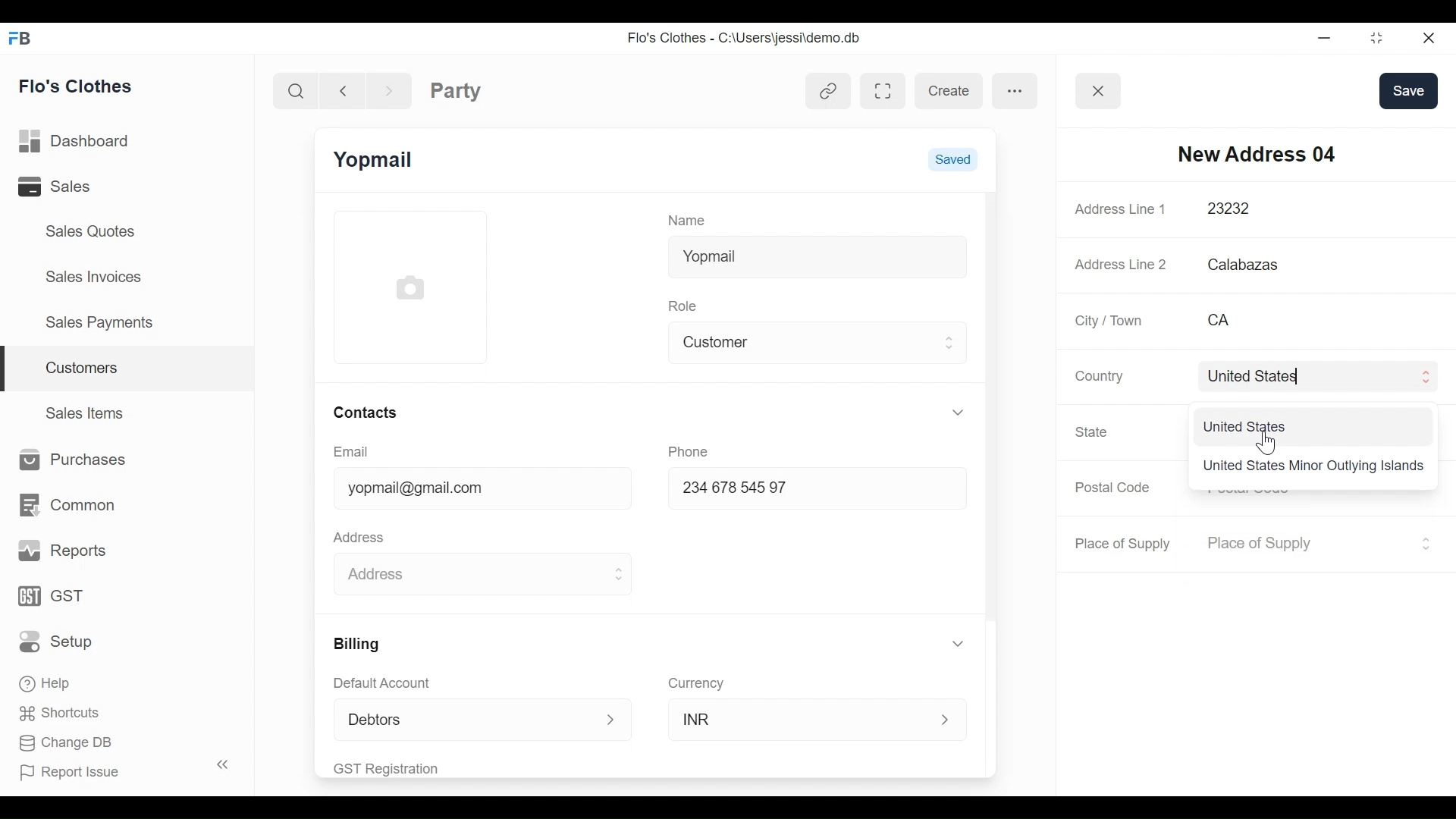  Describe the element at coordinates (1425, 543) in the screenshot. I see `Expand` at that location.